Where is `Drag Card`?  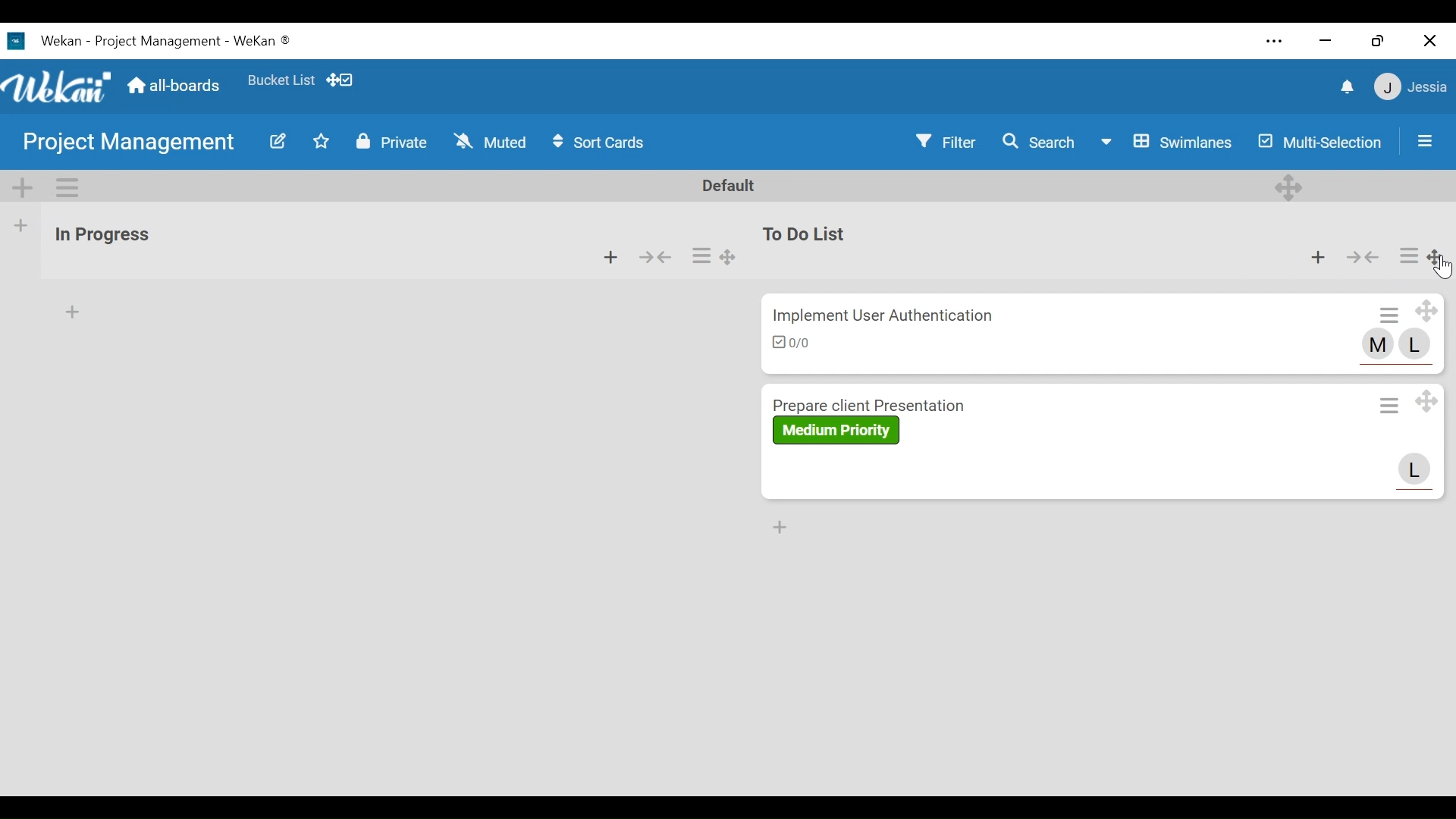
Drag Card is located at coordinates (1426, 310).